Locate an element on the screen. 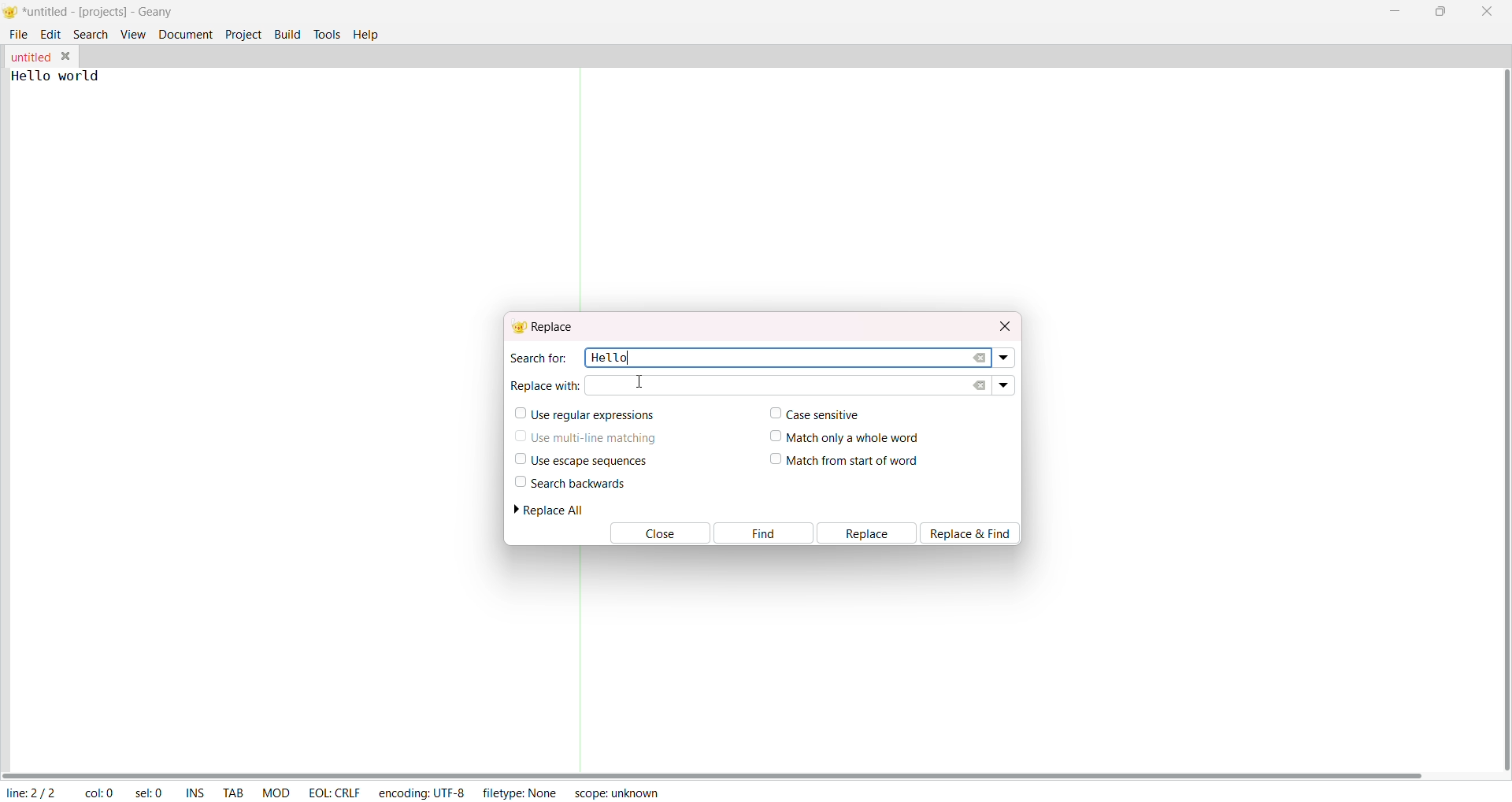  Replace & Find is located at coordinates (975, 533).